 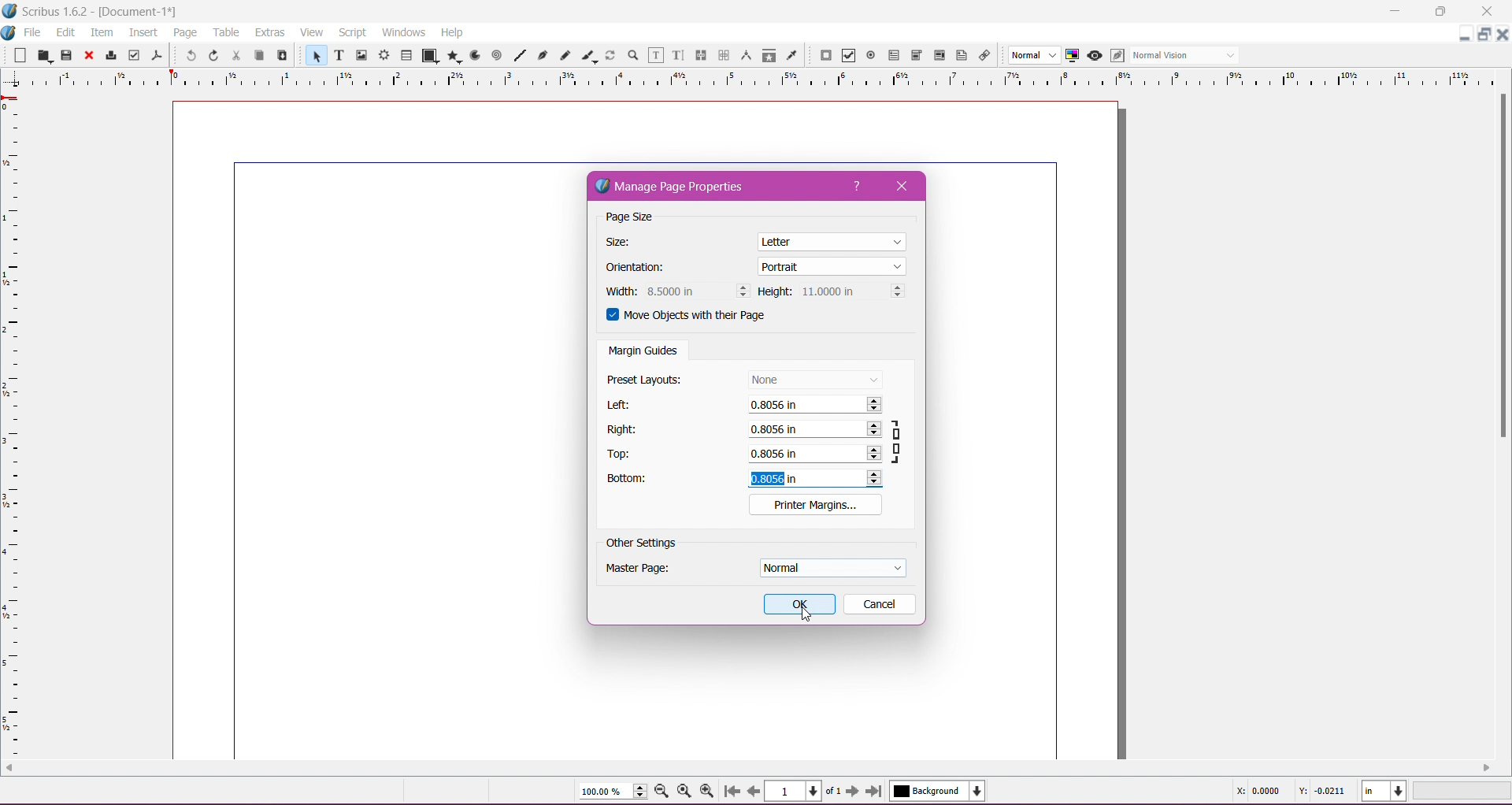 What do you see at coordinates (1073, 55) in the screenshot?
I see `Toggle Color Management System` at bounding box center [1073, 55].